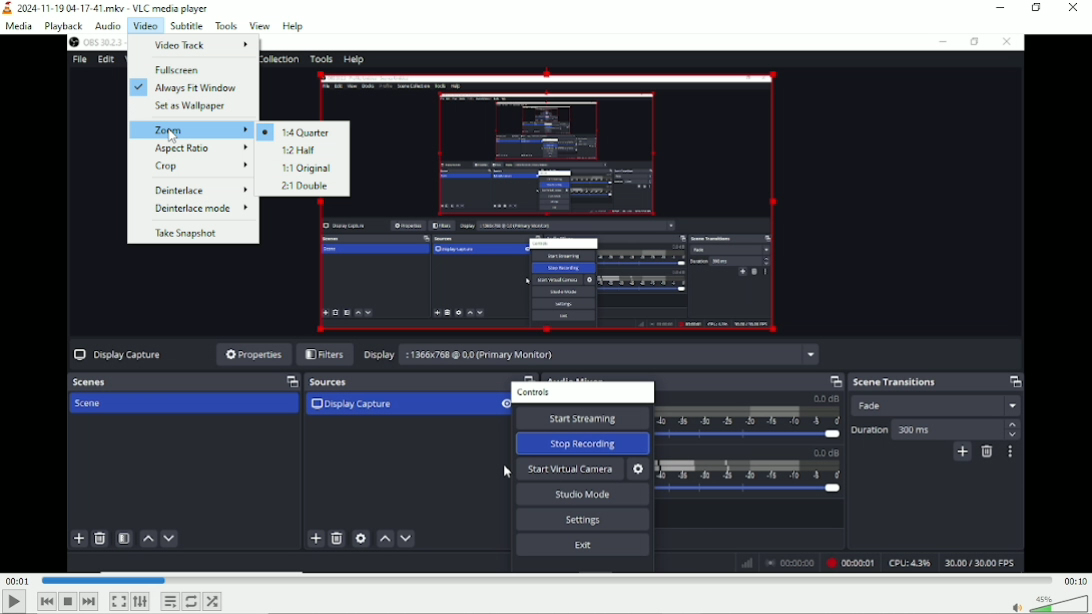  I want to click on next, so click(89, 602).